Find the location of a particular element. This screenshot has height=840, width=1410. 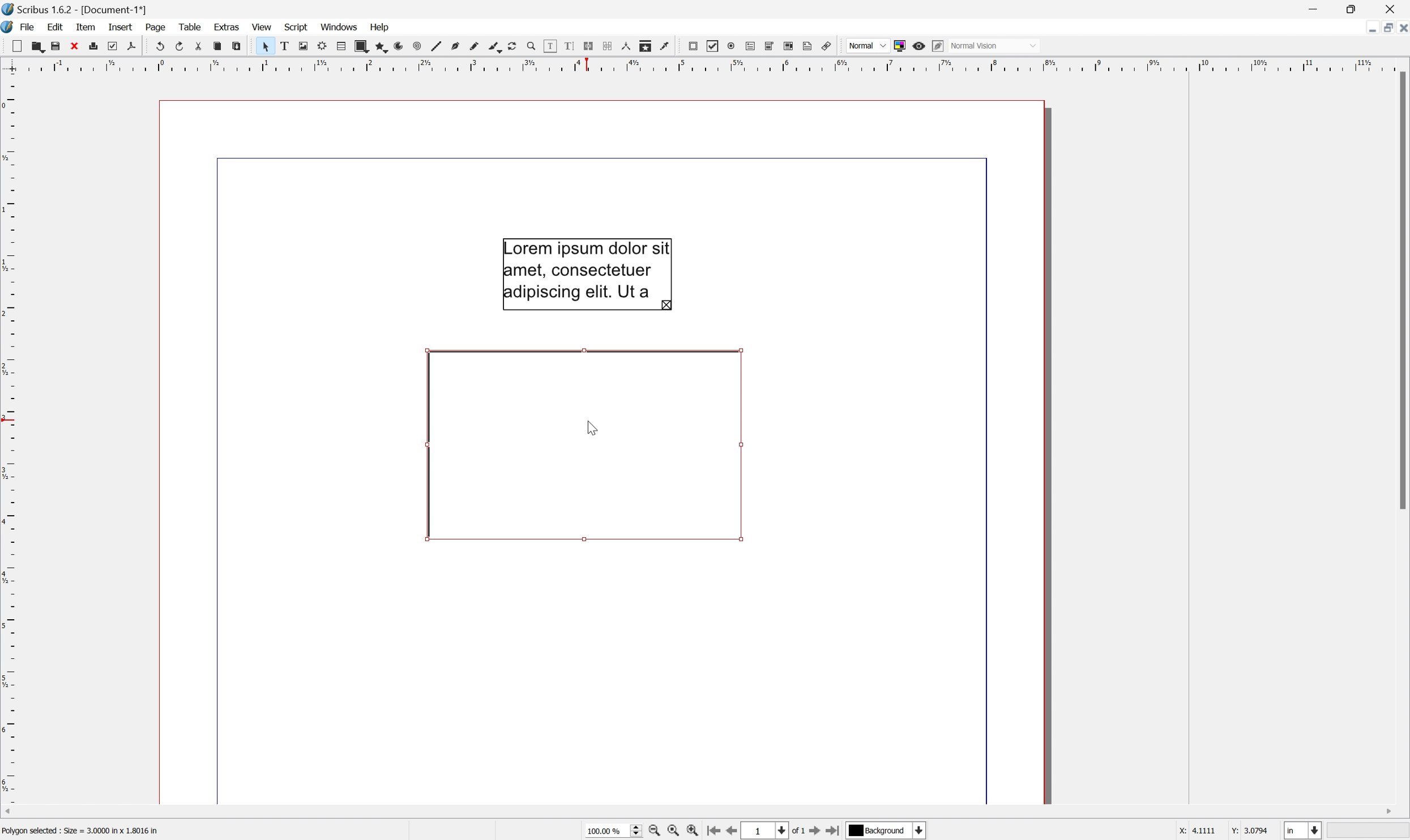

Insert is located at coordinates (119, 26).